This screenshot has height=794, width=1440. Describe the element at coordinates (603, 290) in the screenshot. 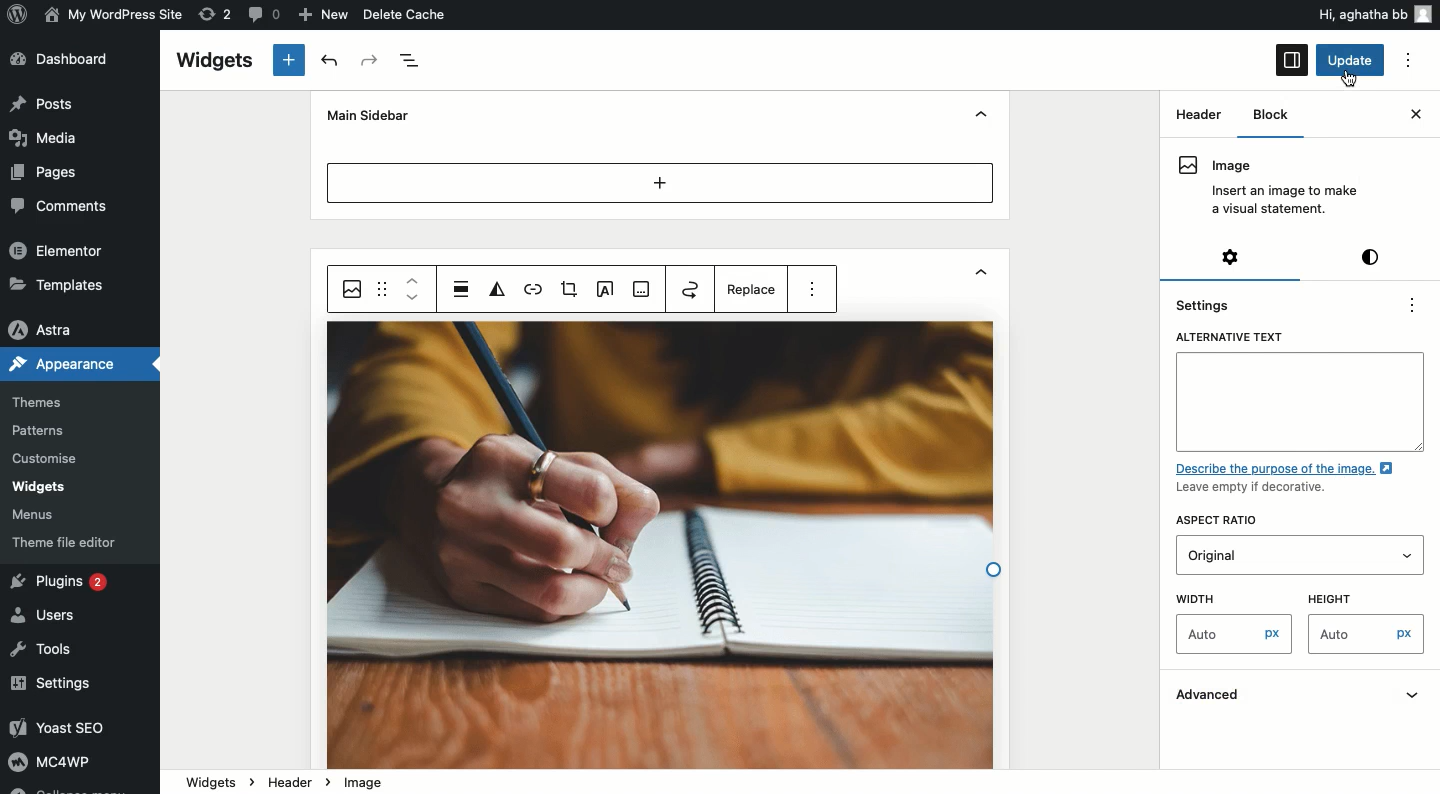

I see `Edit` at that location.